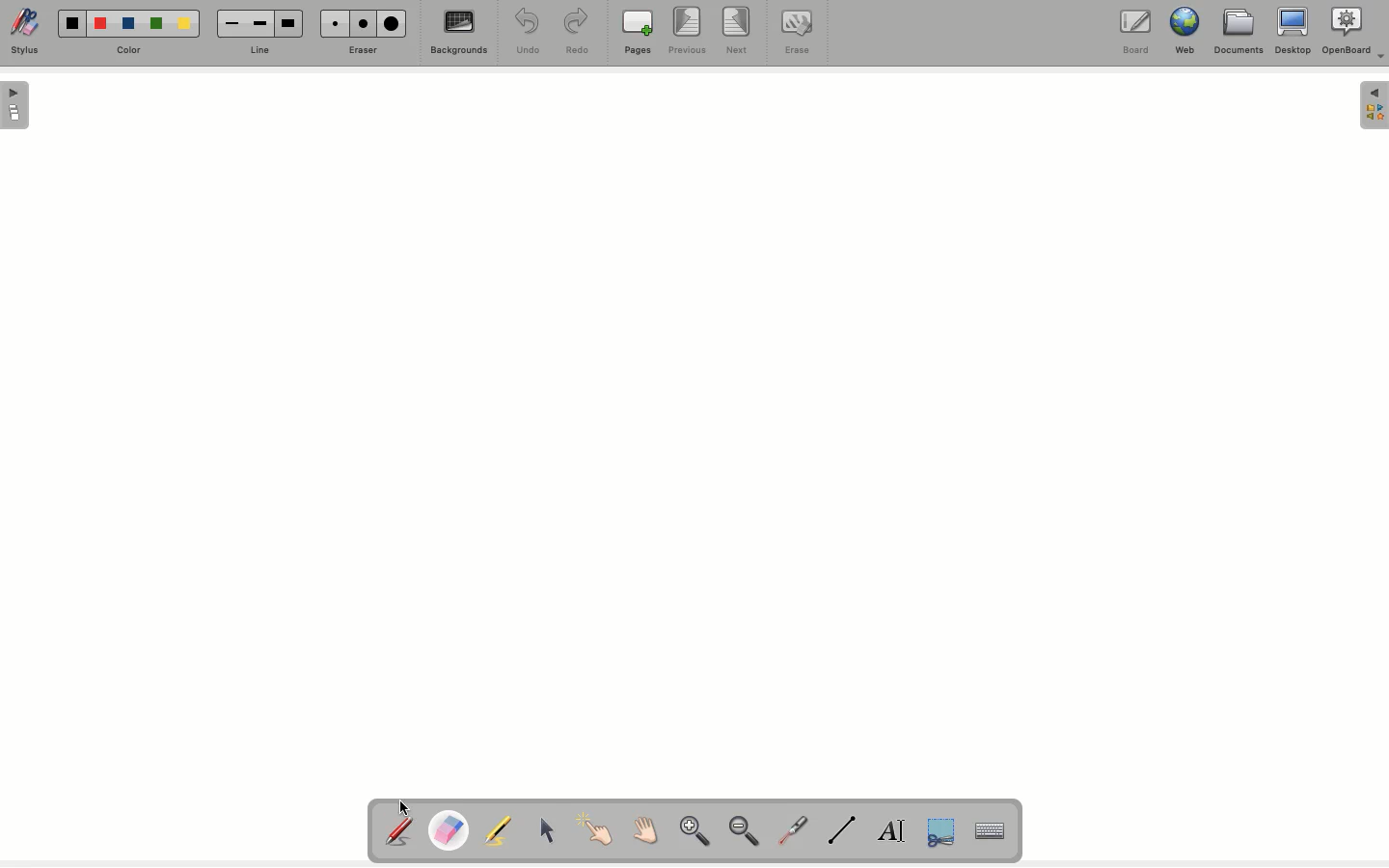 The image size is (1389, 868). Describe the element at coordinates (690, 33) in the screenshot. I see `Previous` at that location.